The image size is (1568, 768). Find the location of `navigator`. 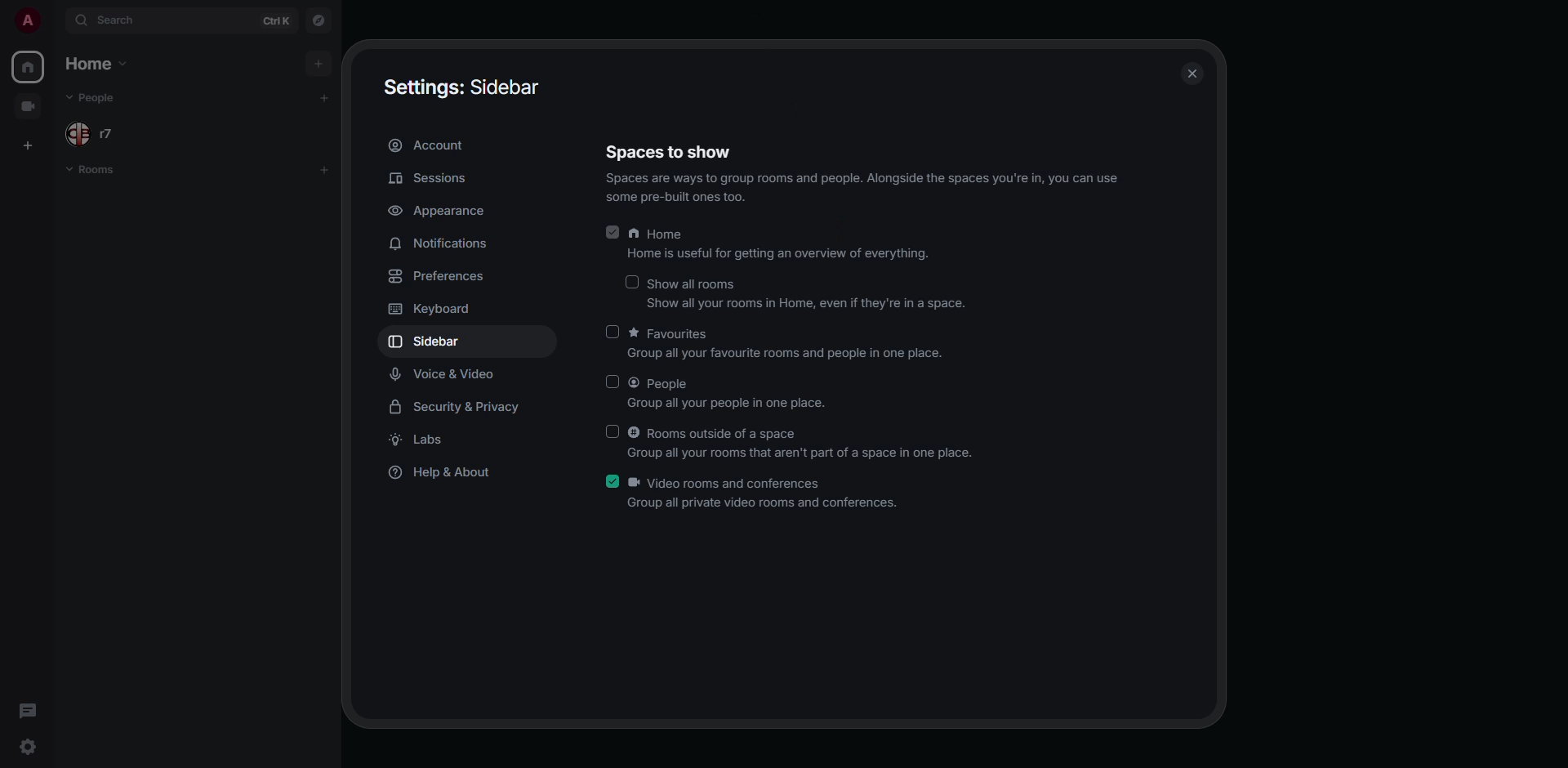

navigator is located at coordinates (318, 20).